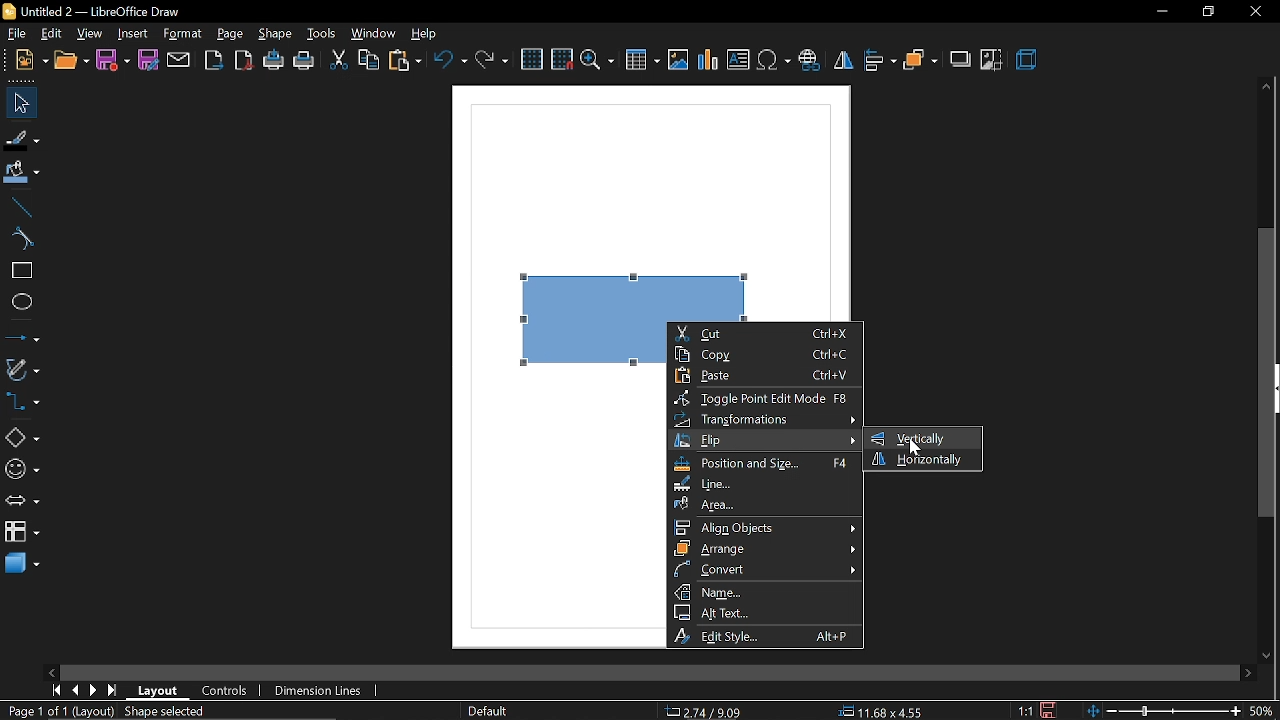 Image resolution: width=1280 pixels, height=720 pixels. I want to click on copy, so click(766, 353).